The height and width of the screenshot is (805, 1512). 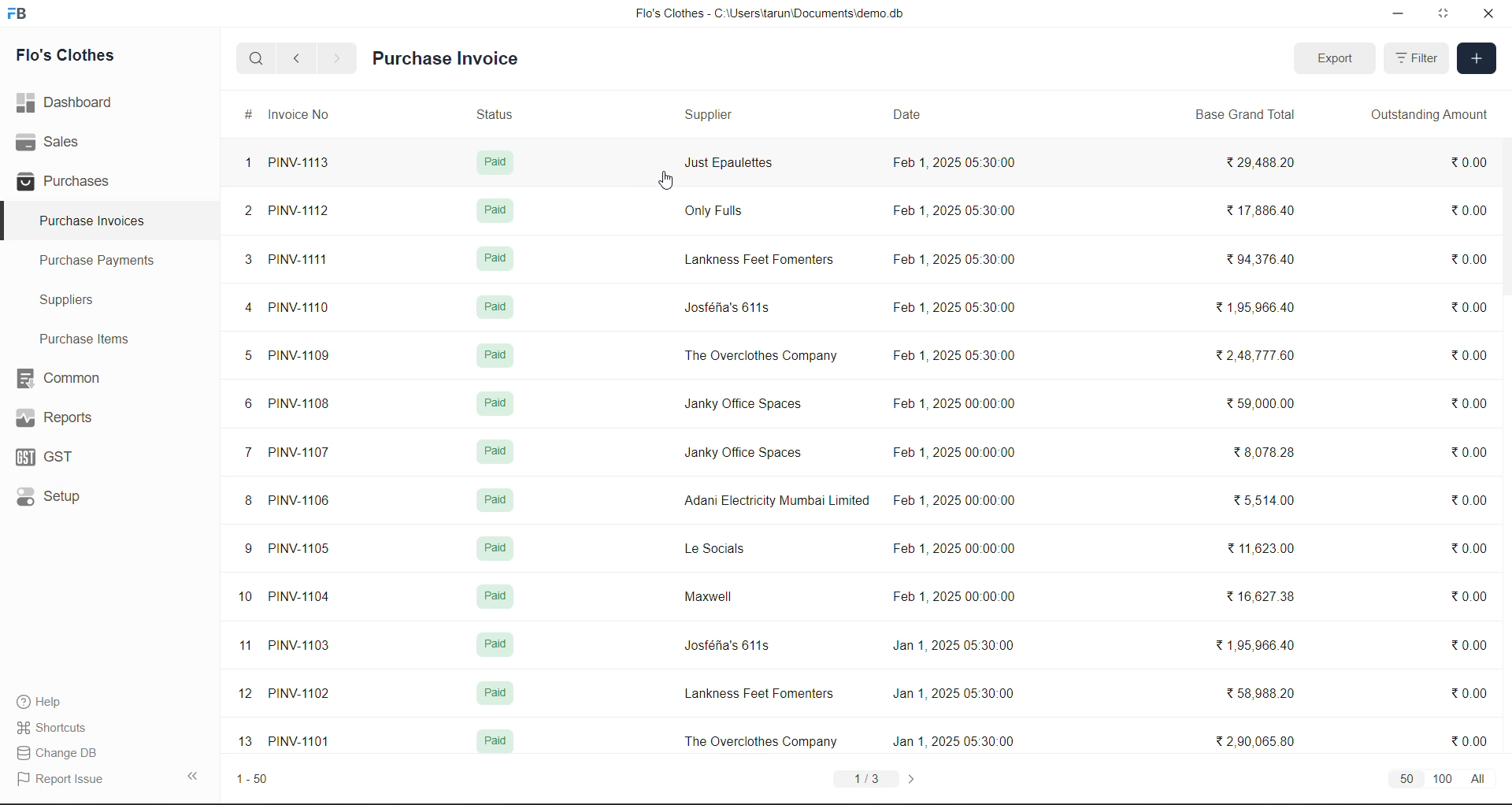 I want to click on ₹16,627.38, so click(x=1265, y=599).